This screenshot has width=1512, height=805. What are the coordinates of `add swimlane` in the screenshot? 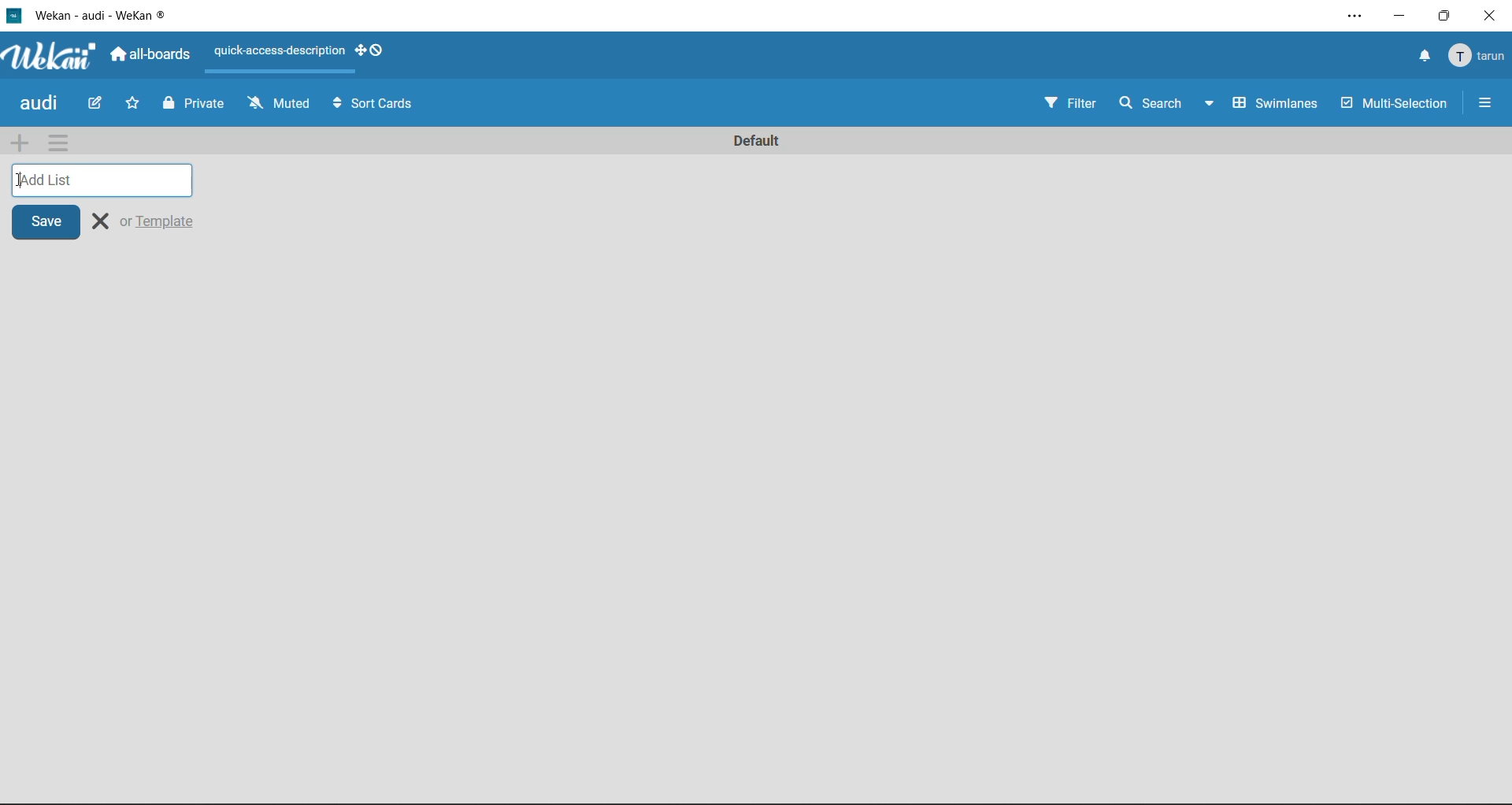 It's located at (17, 143).